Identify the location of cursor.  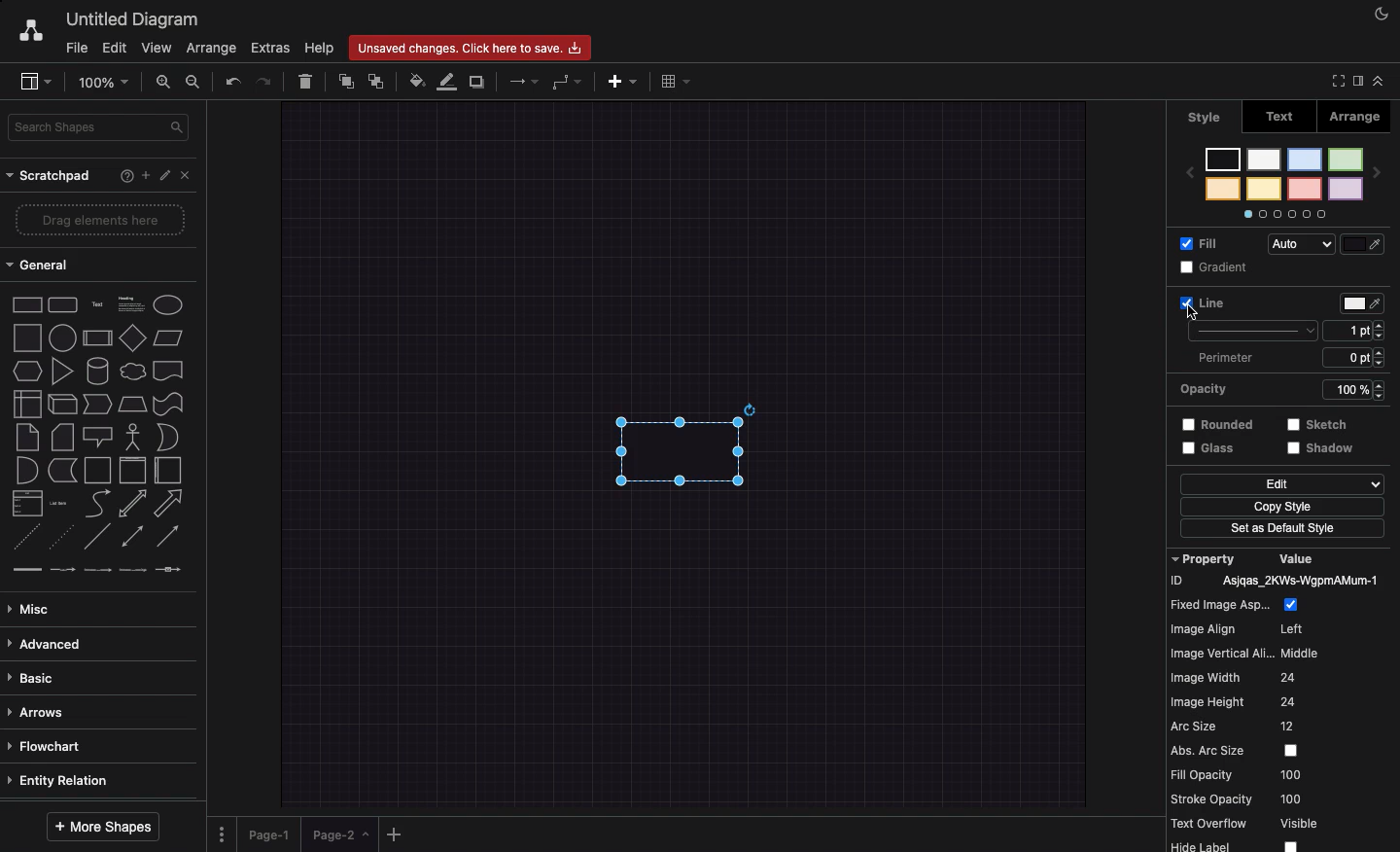
(1193, 314).